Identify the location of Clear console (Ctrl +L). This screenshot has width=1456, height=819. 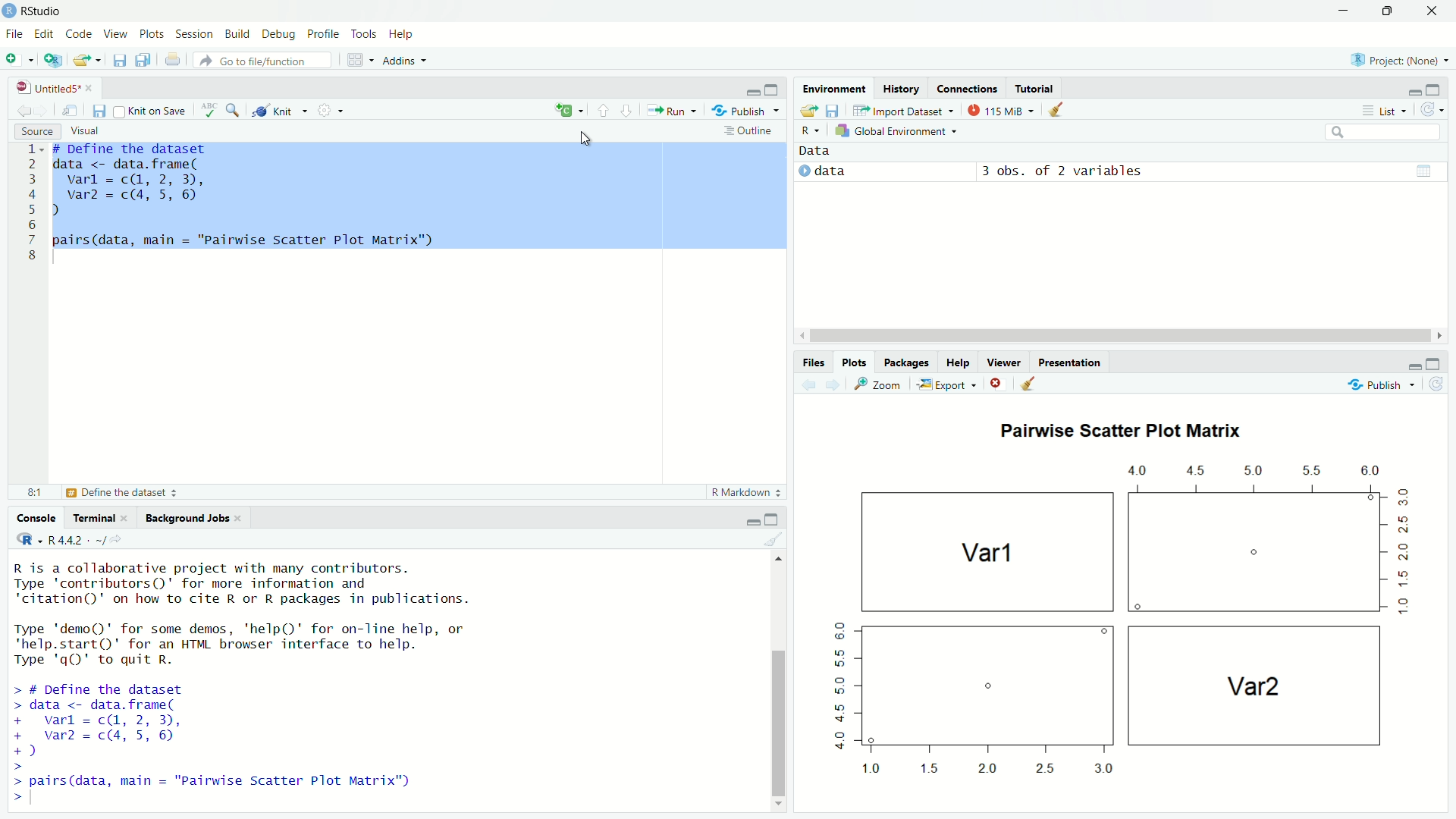
(783, 539).